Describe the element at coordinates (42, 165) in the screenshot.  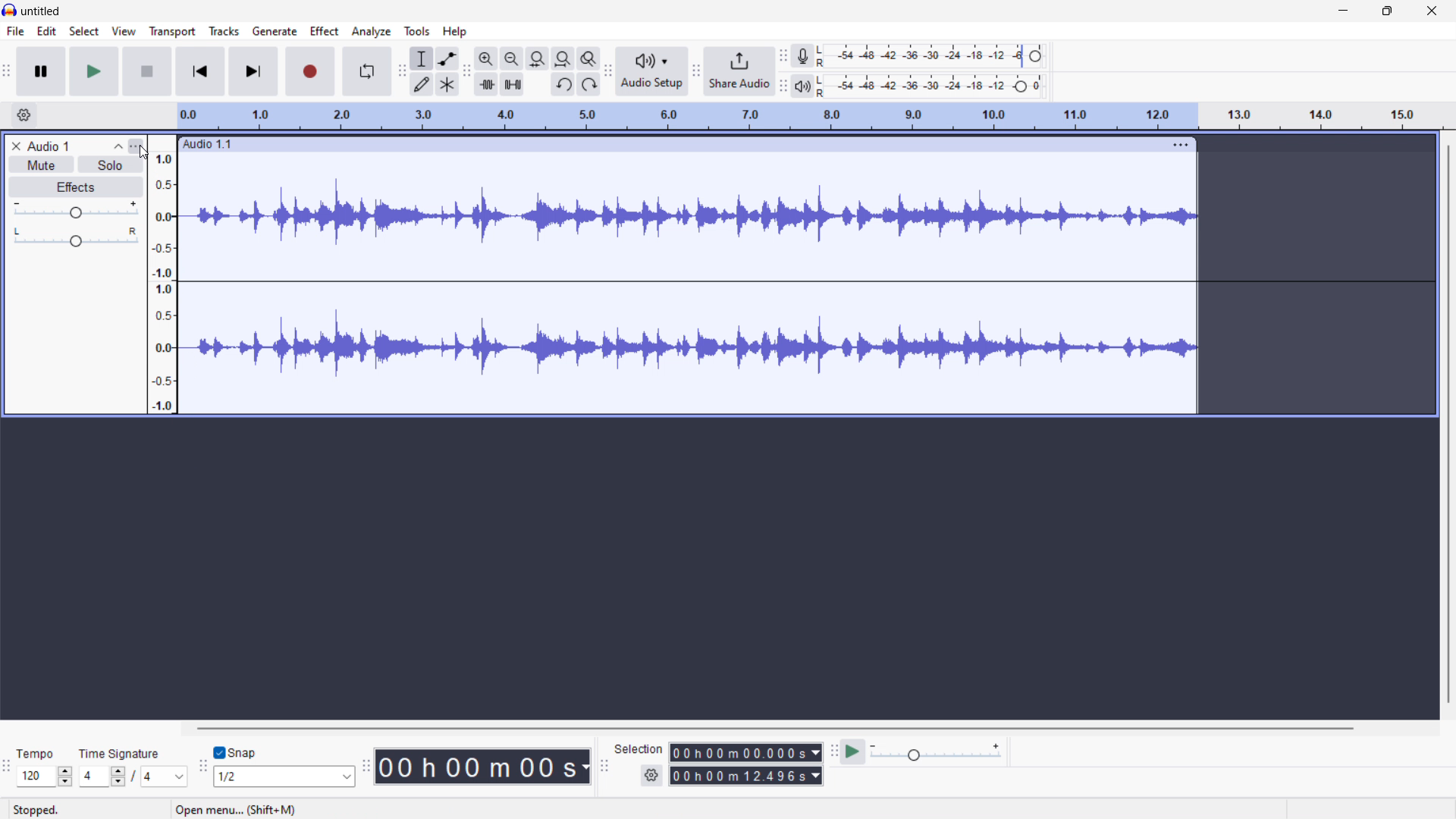
I see `mute` at that location.